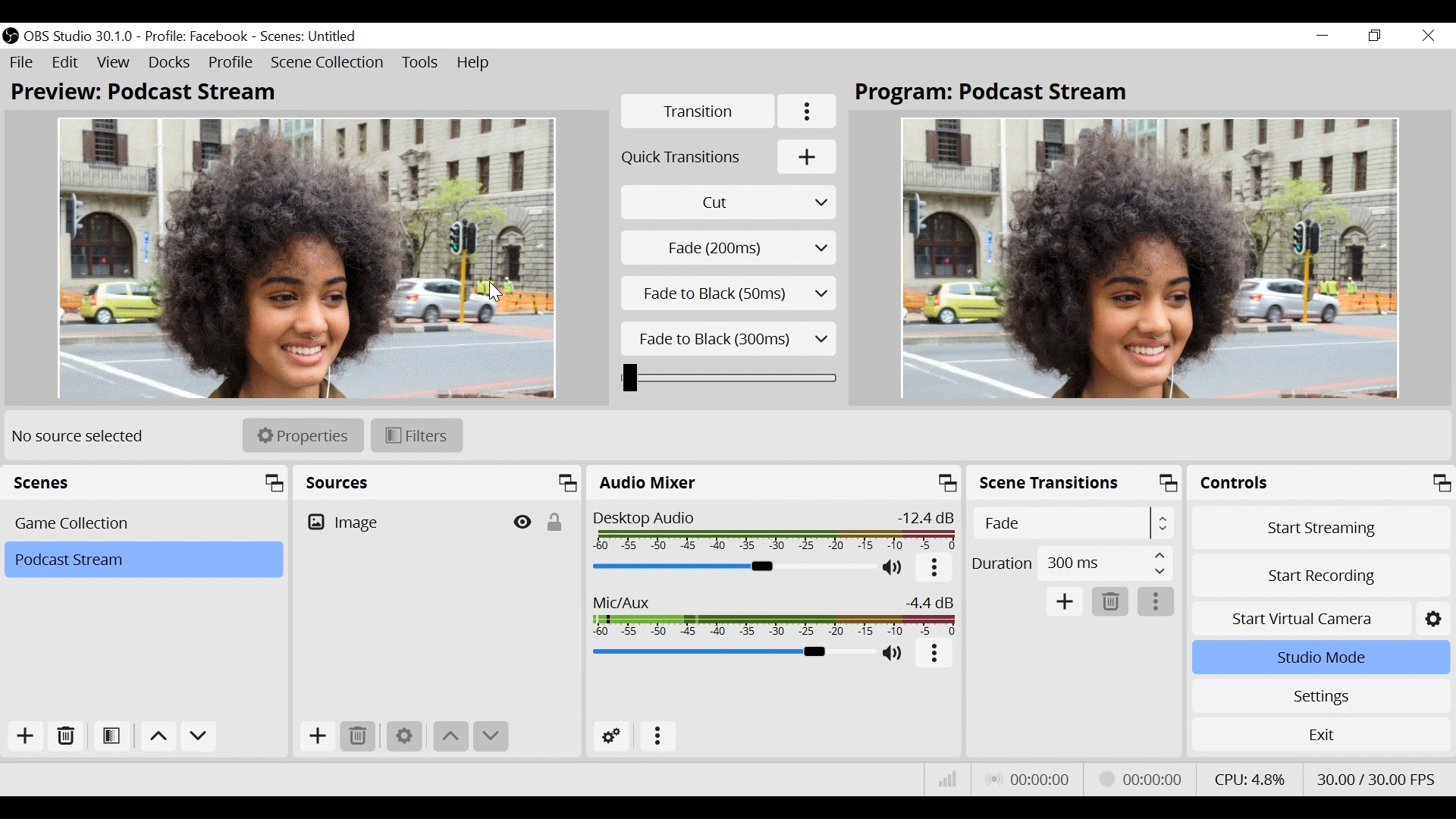  Describe the element at coordinates (1109, 602) in the screenshot. I see `Remove` at that location.